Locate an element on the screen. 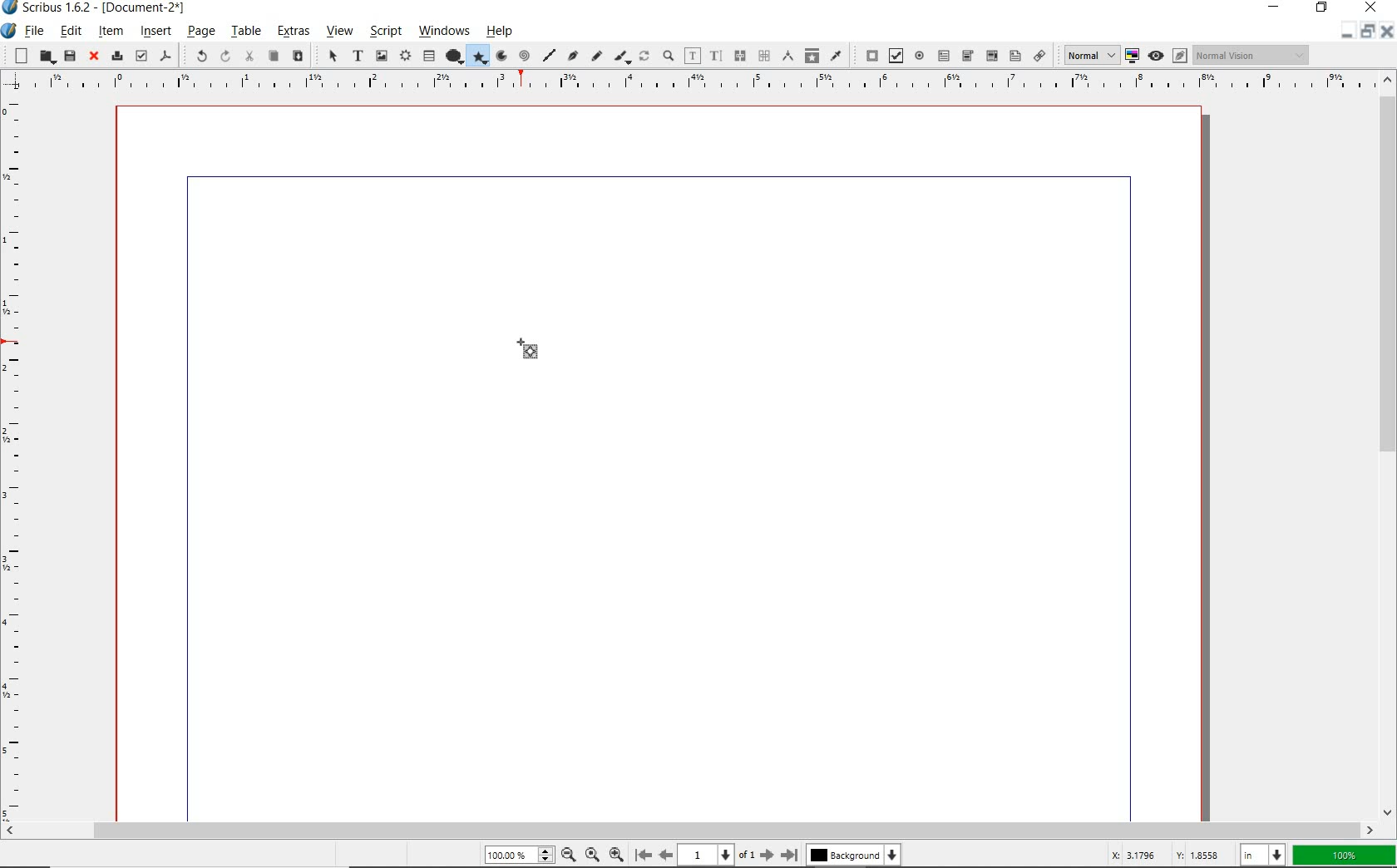 This screenshot has width=1397, height=868. spiral is located at coordinates (525, 53).